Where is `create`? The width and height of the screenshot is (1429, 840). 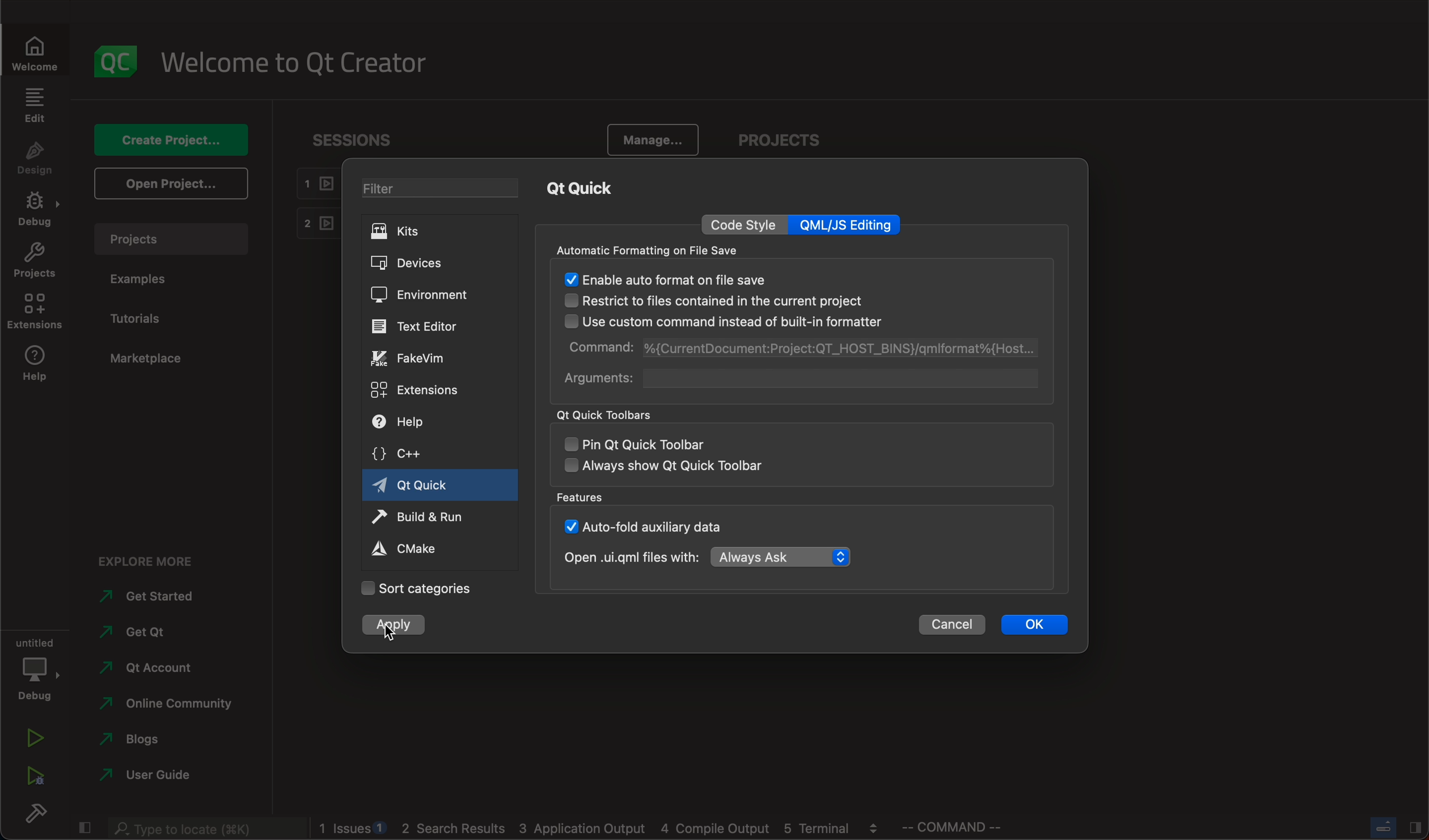
create is located at coordinates (172, 141).